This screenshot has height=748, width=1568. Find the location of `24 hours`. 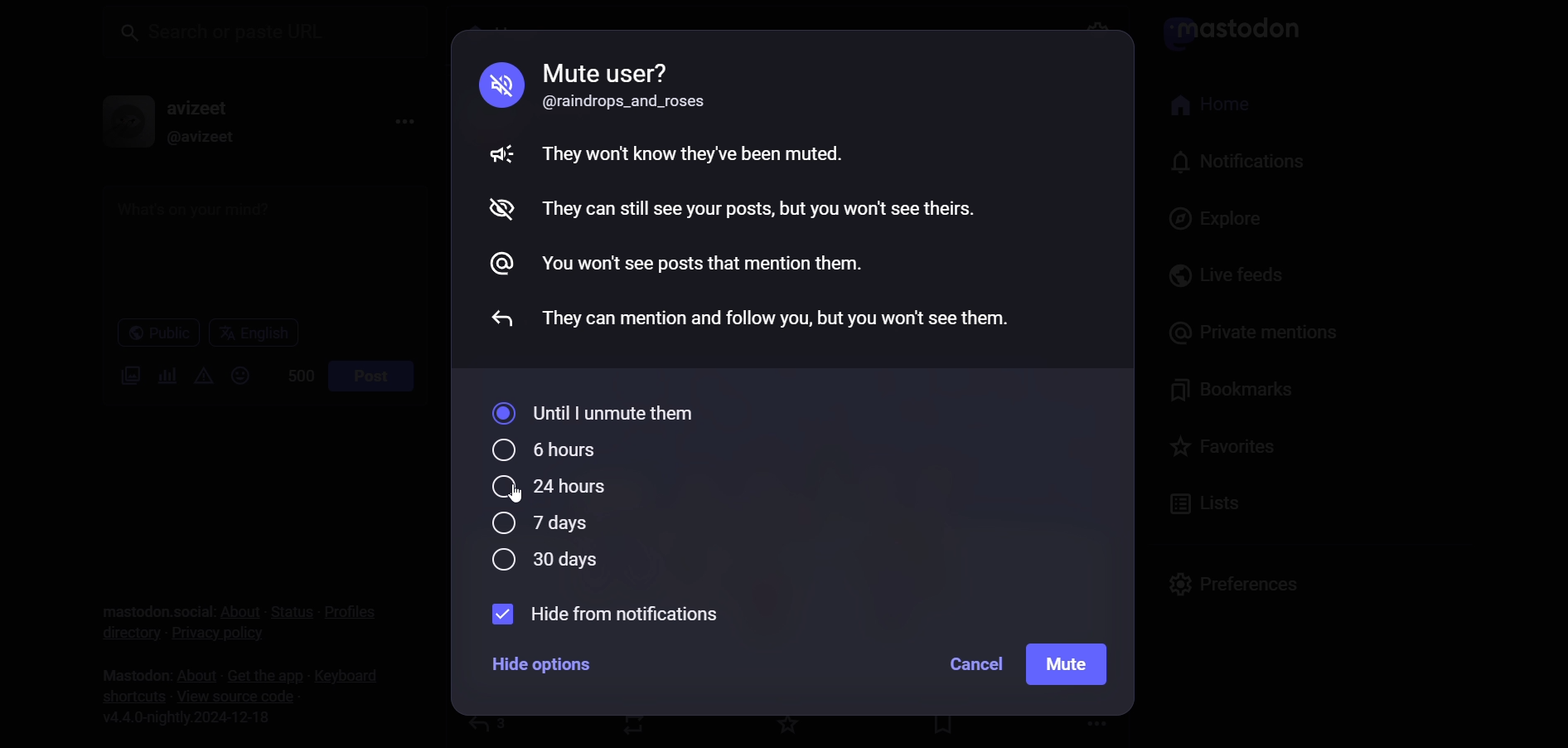

24 hours is located at coordinates (559, 487).